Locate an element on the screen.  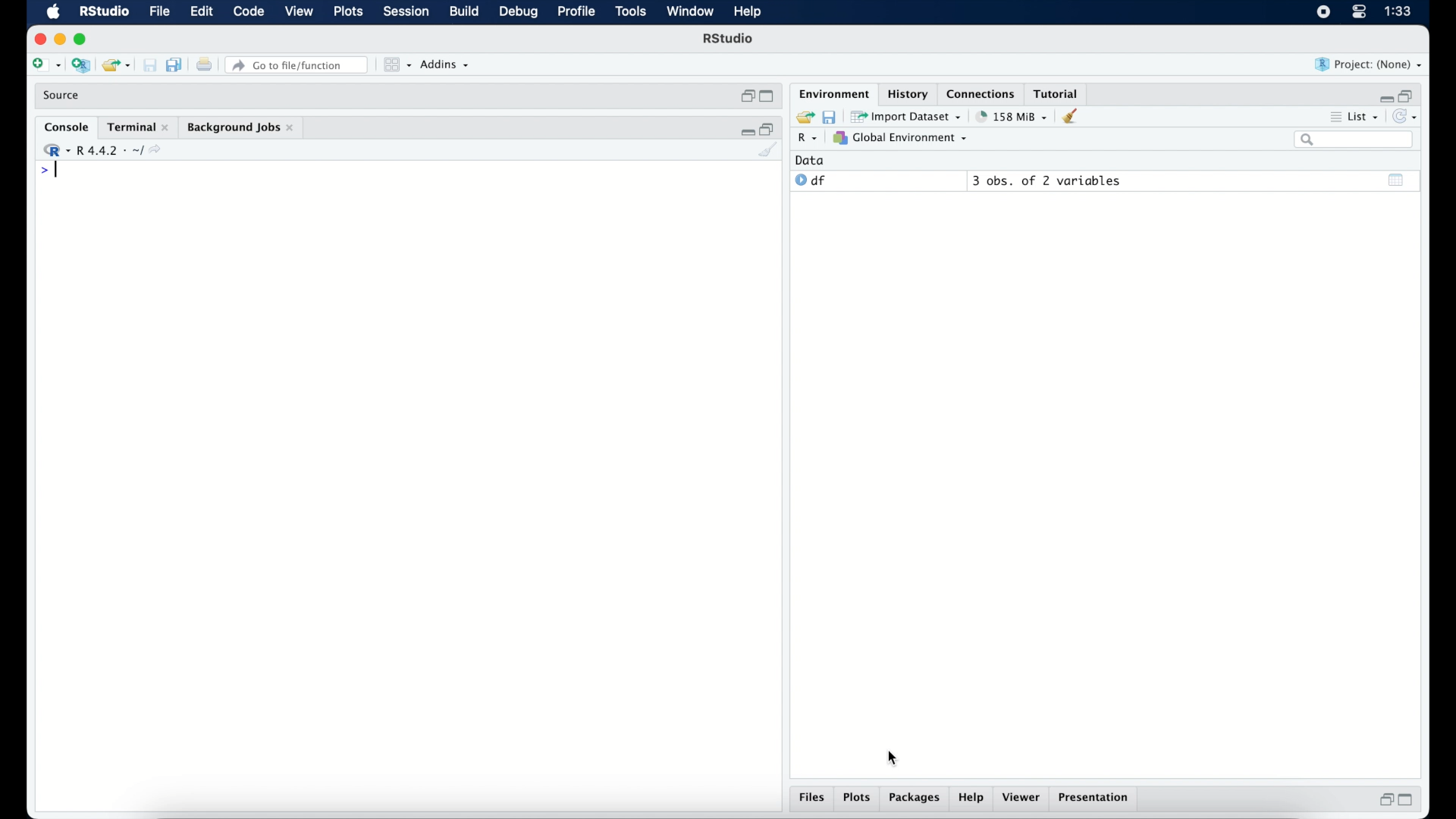
search bar is located at coordinates (1355, 140).